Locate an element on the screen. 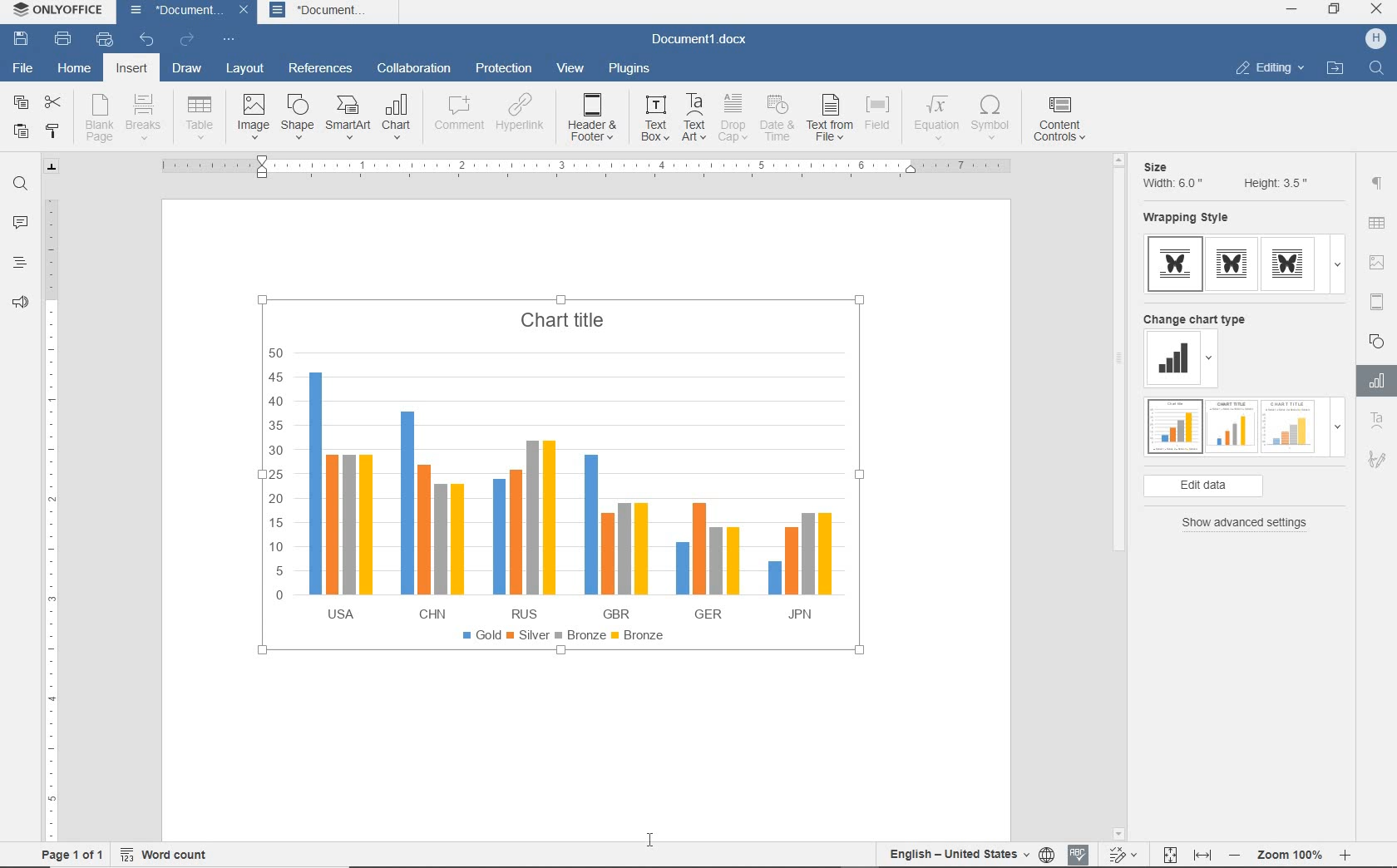 This screenshot has width=1397, height=868. document name is located at coordinates (171, 12).